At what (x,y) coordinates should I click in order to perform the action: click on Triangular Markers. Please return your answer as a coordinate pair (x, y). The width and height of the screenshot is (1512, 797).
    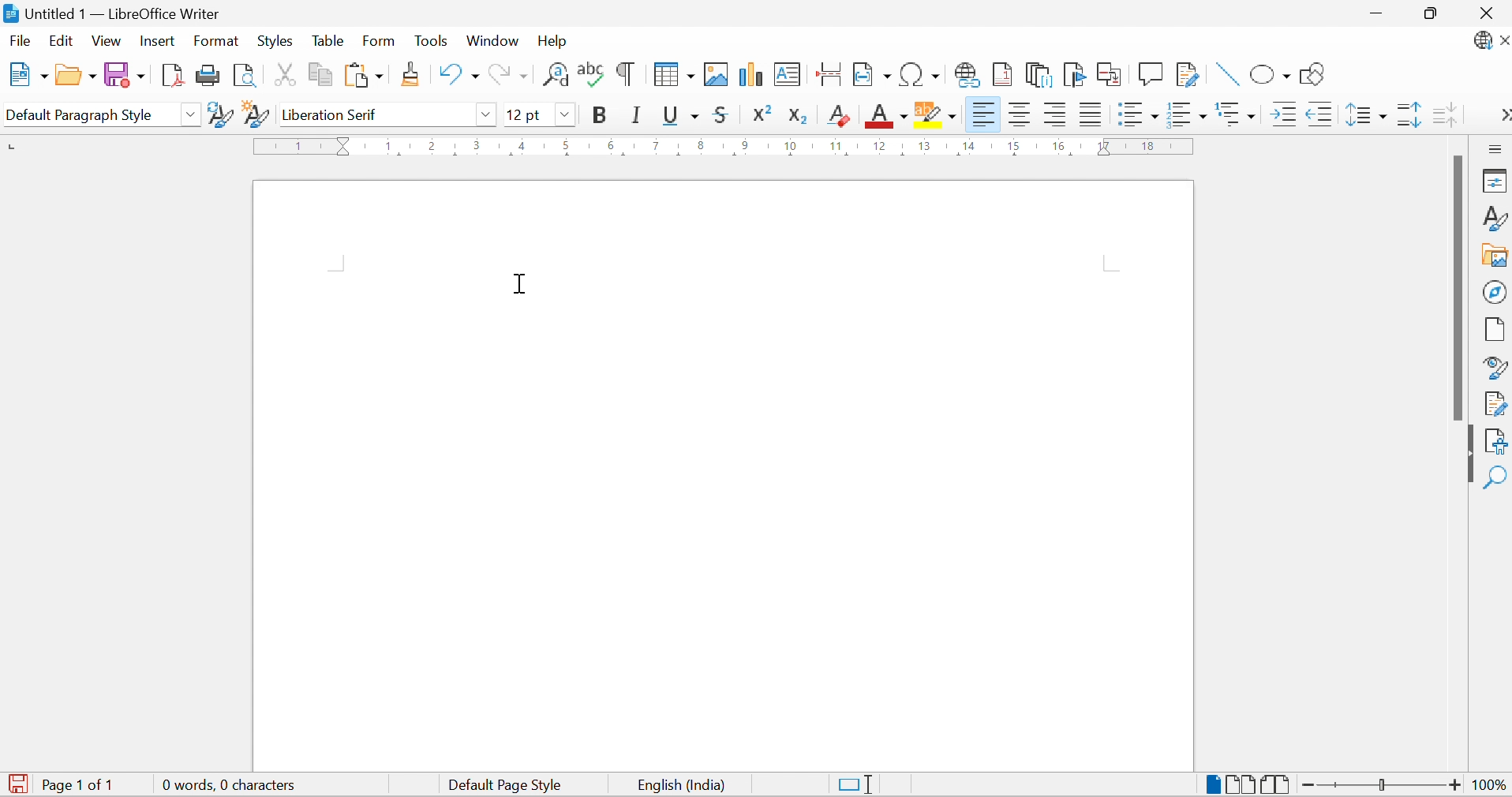
    Looking at the image, I should click on (345, 146).